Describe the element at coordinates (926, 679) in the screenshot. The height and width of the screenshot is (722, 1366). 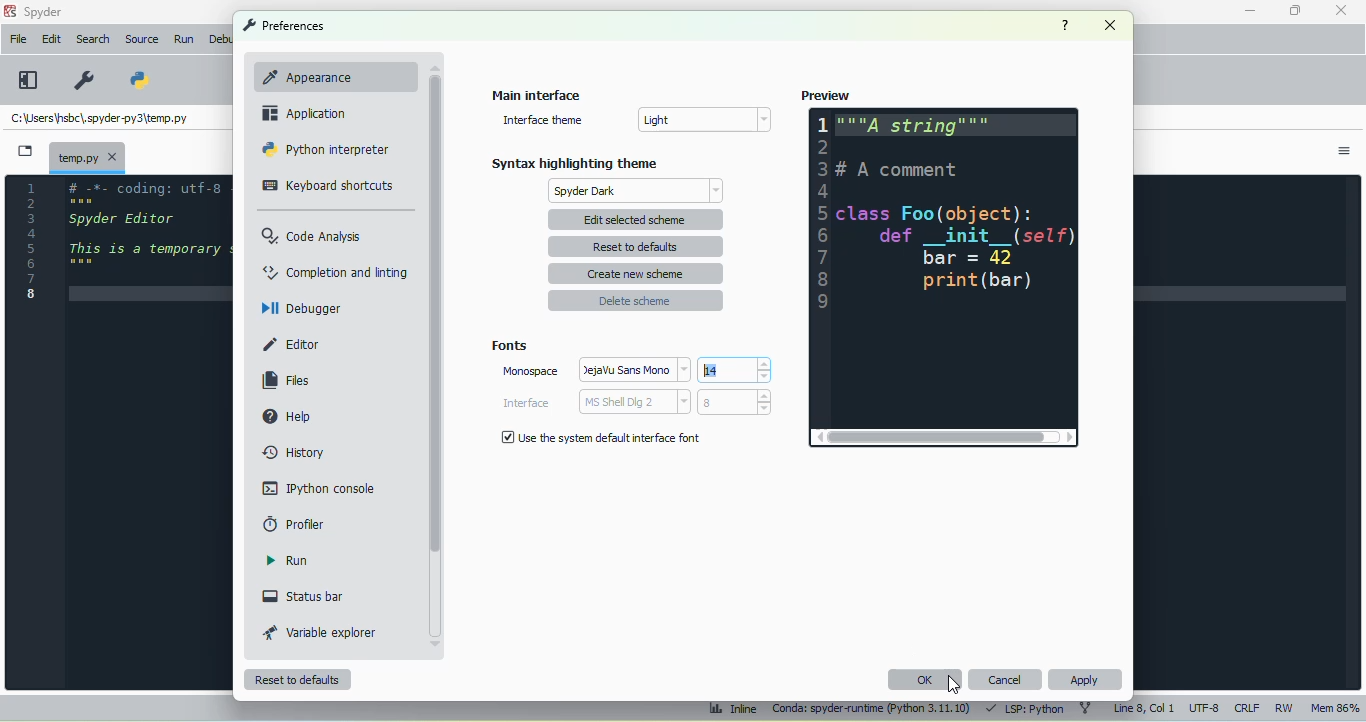
I see `OK` at that location.